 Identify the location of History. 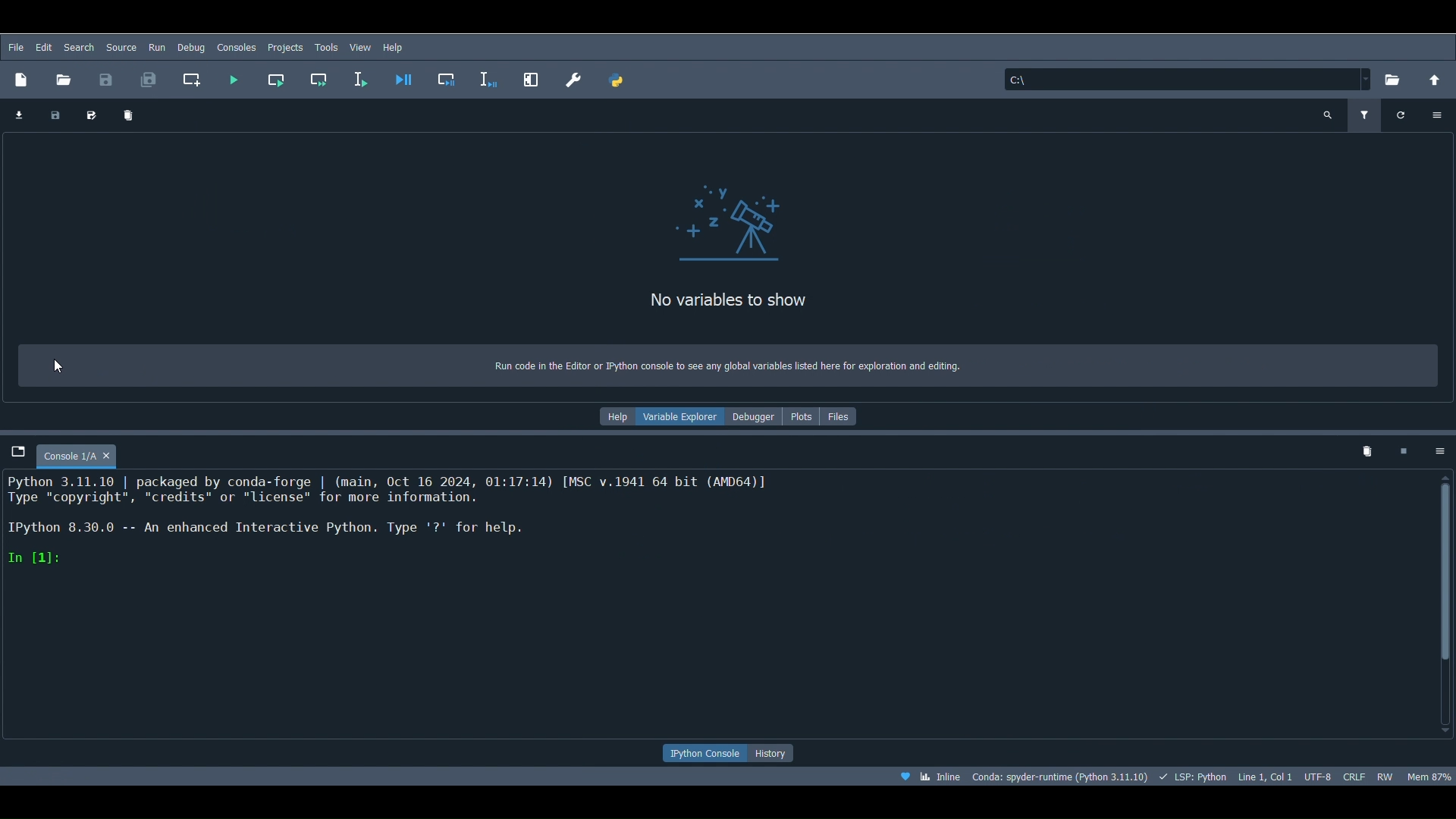
(779, 753).